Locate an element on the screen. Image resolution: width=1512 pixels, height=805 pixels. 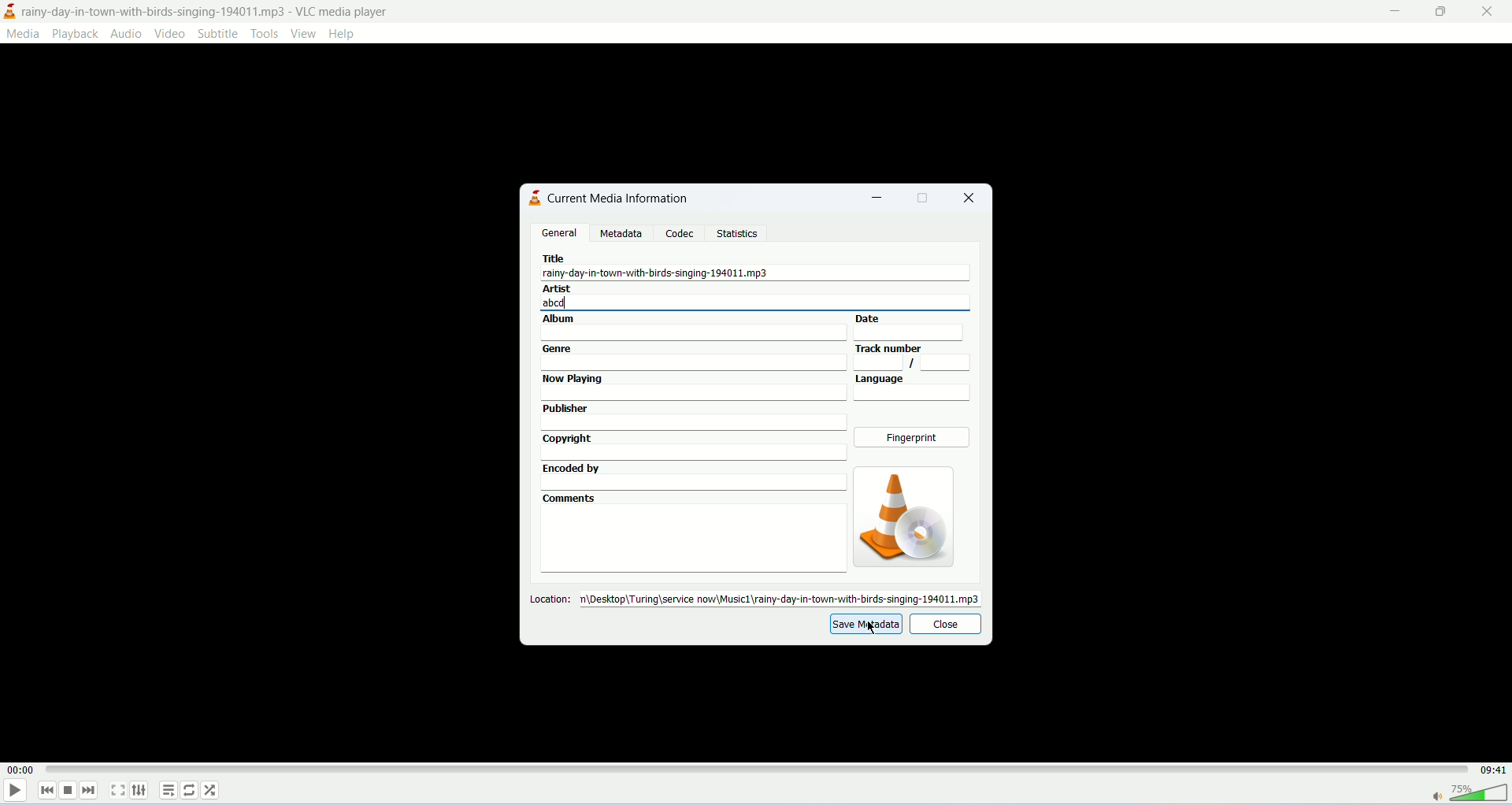
maximize is located at coordinates (1442, 14).